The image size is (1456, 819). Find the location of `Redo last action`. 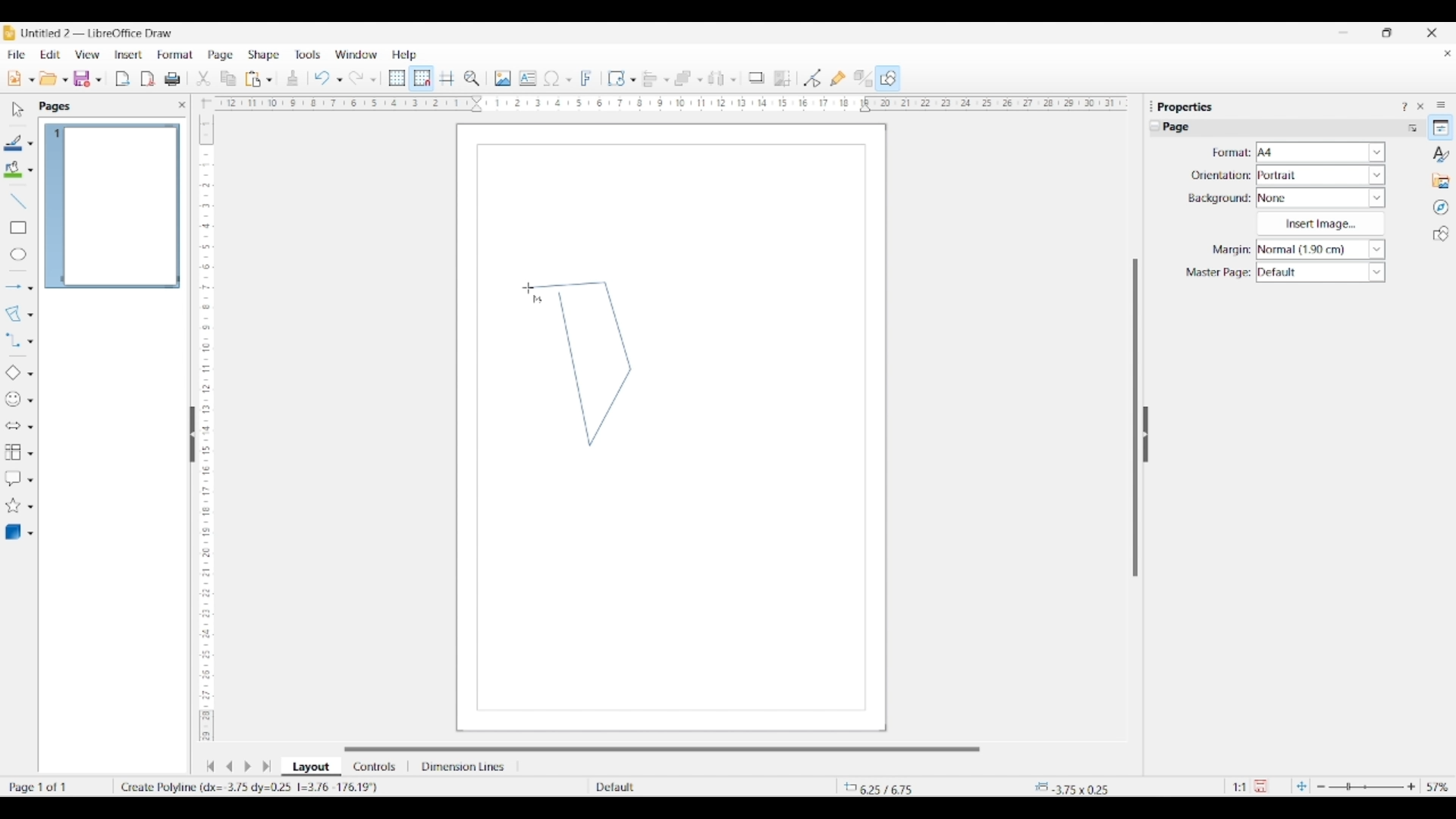

Redo last action is located at coordinates (356, 78).